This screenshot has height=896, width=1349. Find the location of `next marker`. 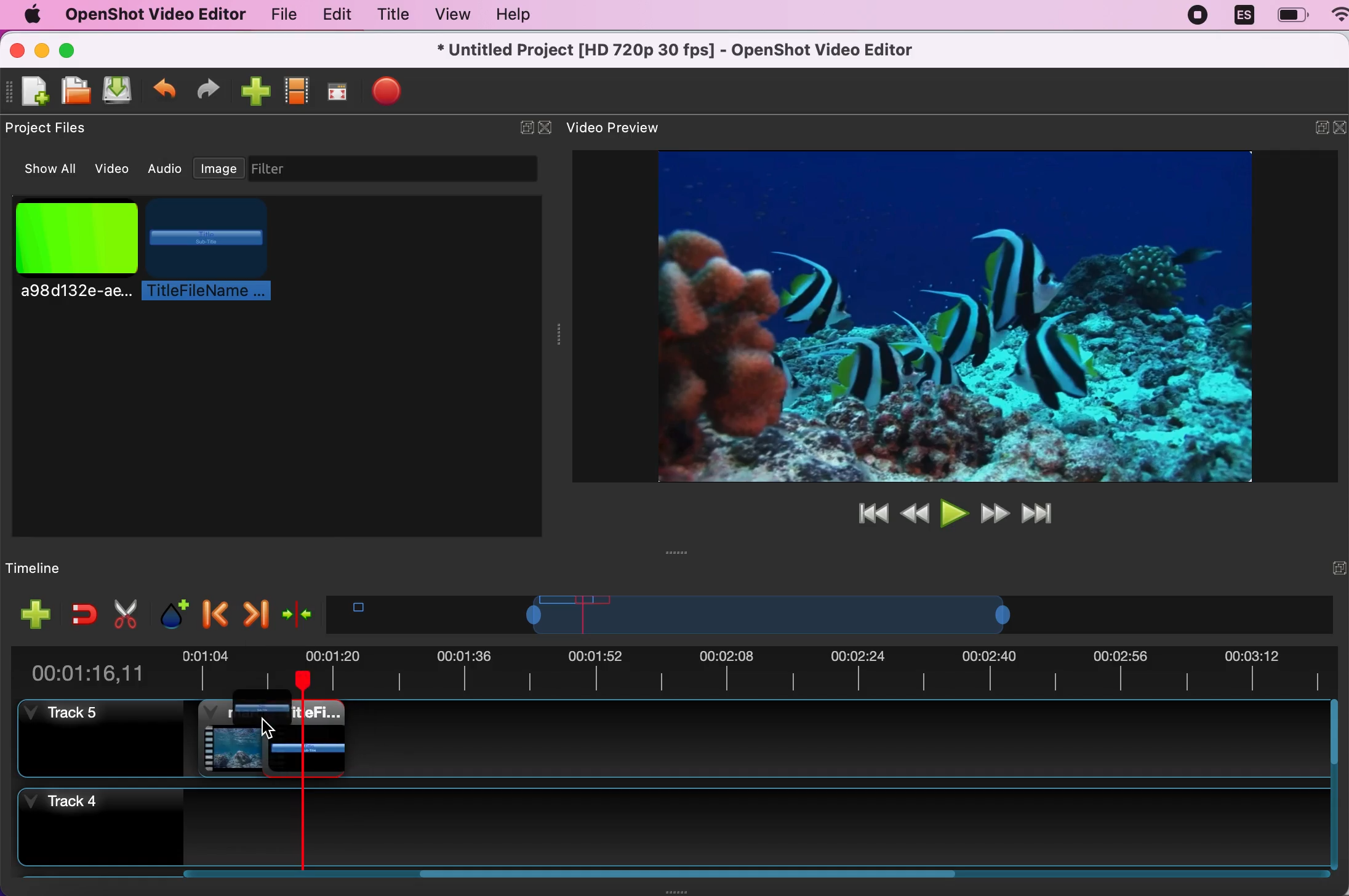

next marker is located at coordinates (255, 610).